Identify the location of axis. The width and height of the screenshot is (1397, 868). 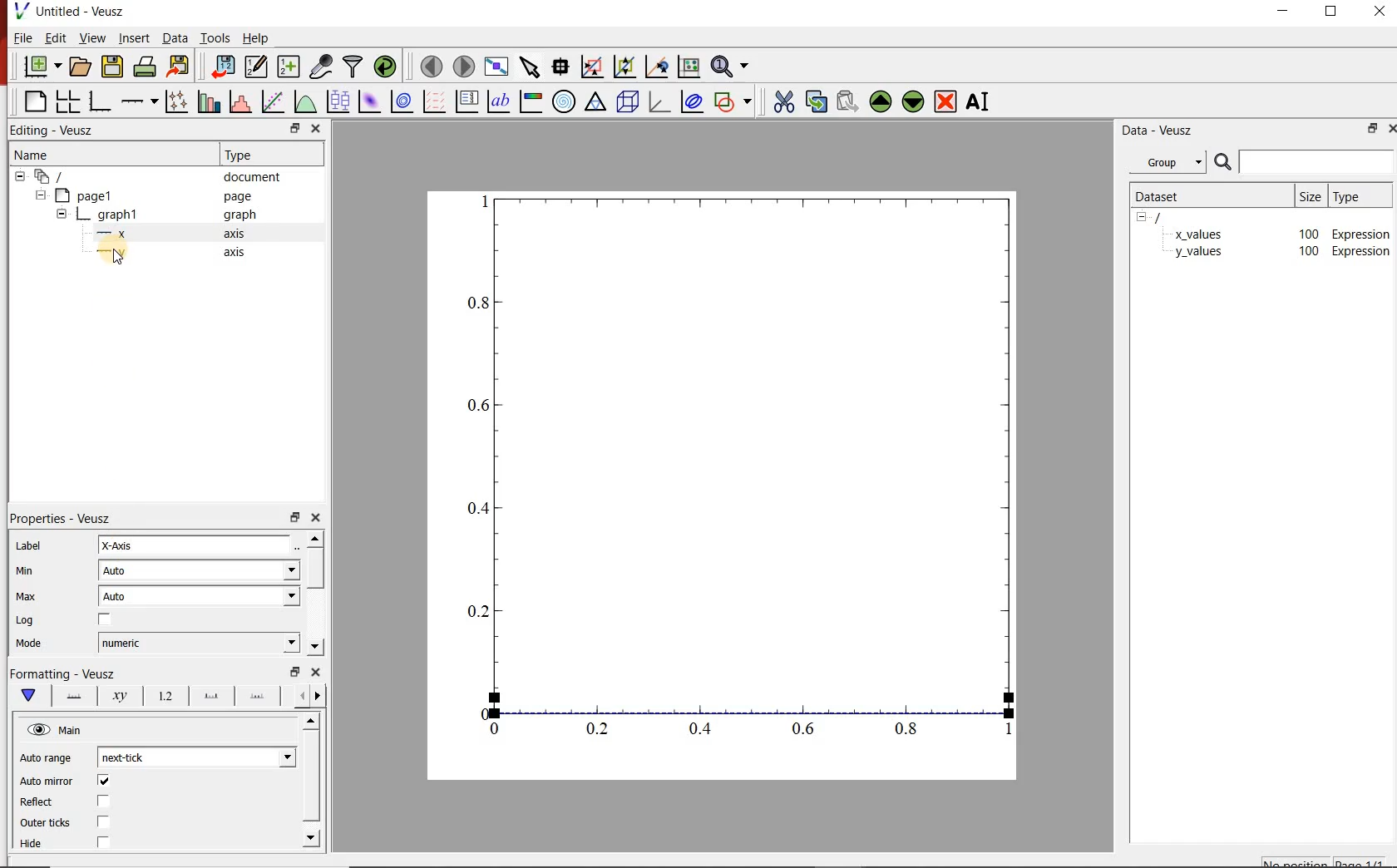
(236, 234).